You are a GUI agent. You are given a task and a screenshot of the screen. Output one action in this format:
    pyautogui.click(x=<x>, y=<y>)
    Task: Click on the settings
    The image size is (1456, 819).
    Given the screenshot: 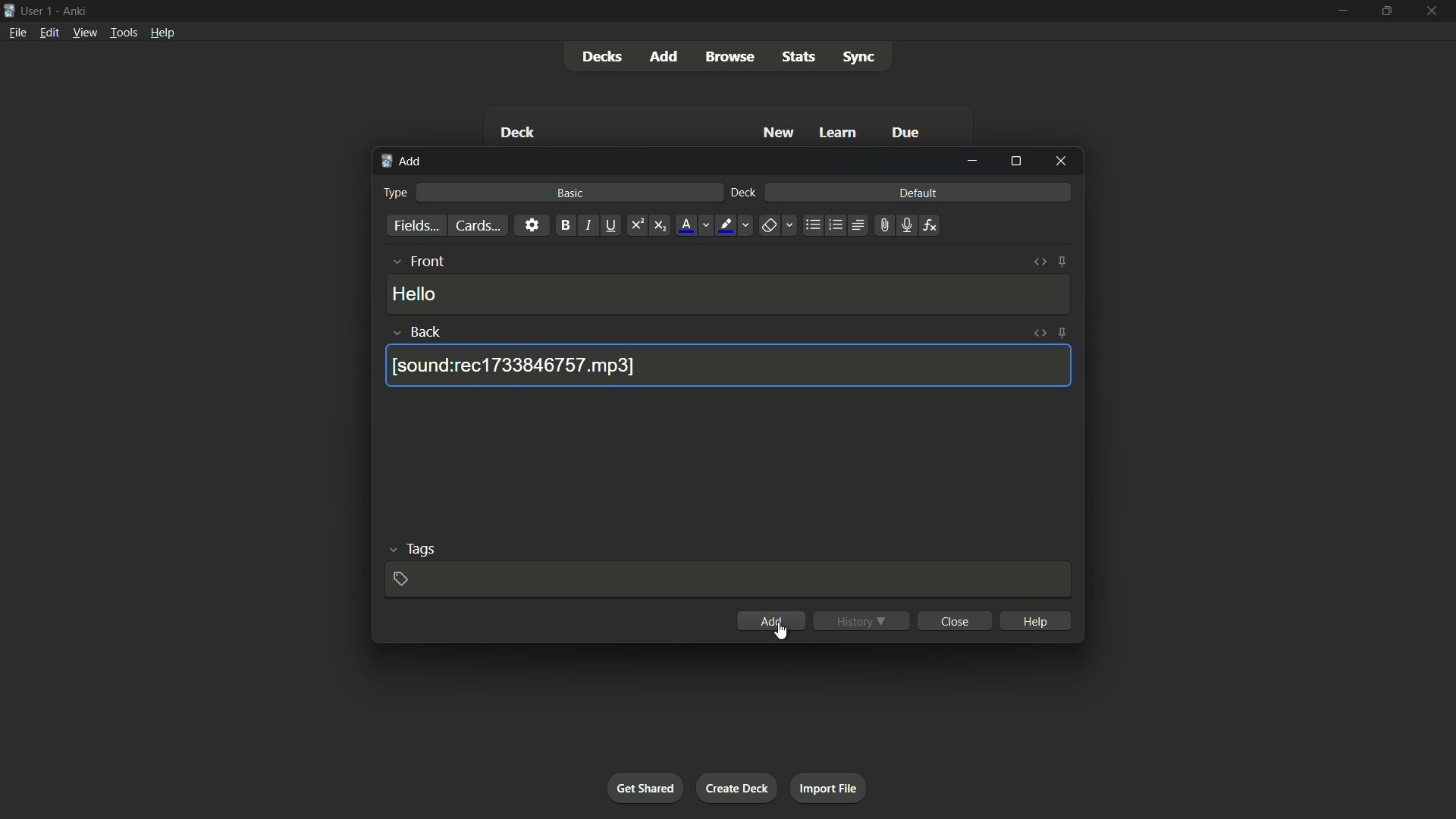 What is the action you would take?
    pyautogui.click(x=532, y=224)
    